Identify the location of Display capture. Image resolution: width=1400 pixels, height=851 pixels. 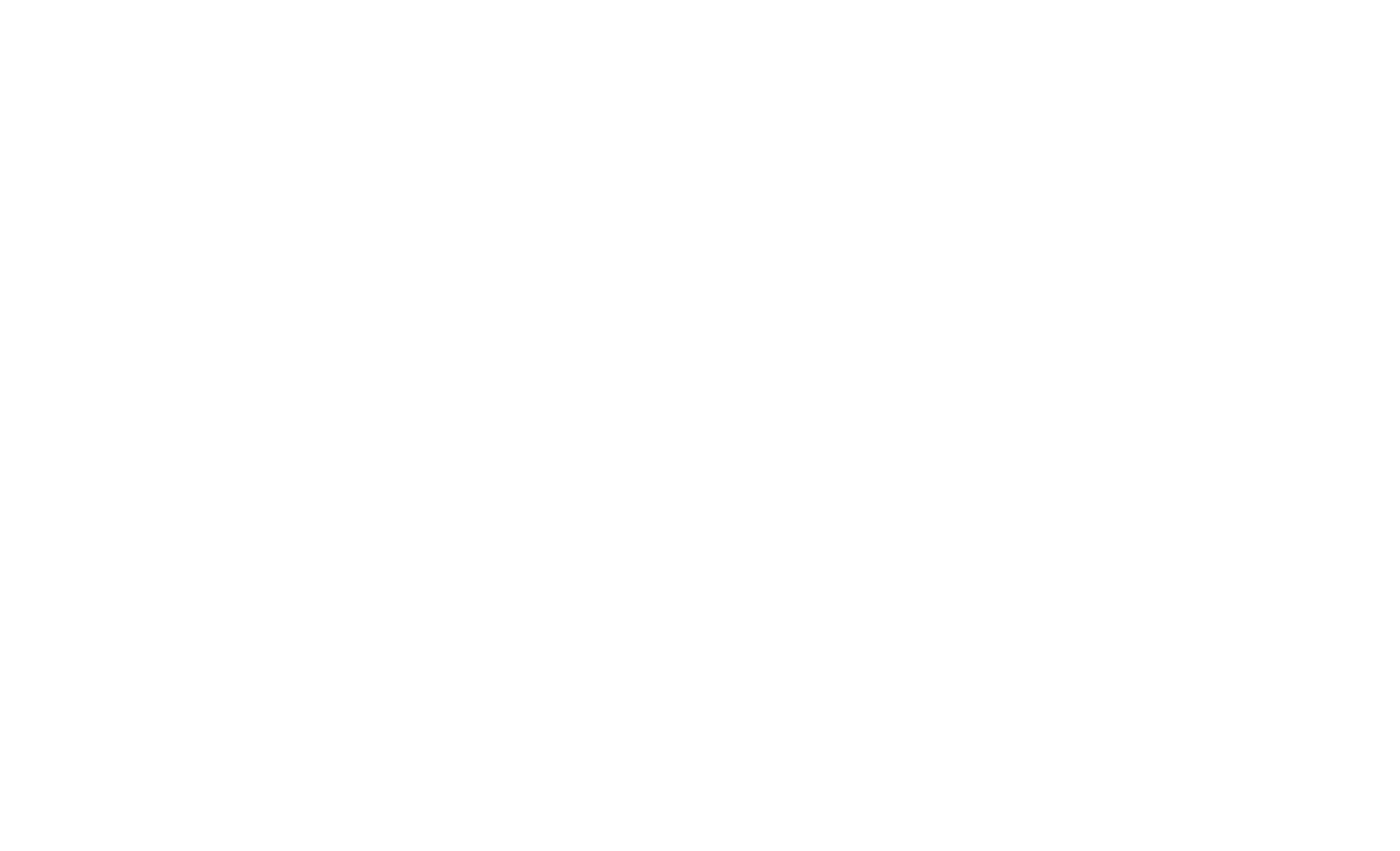
(69, 526).